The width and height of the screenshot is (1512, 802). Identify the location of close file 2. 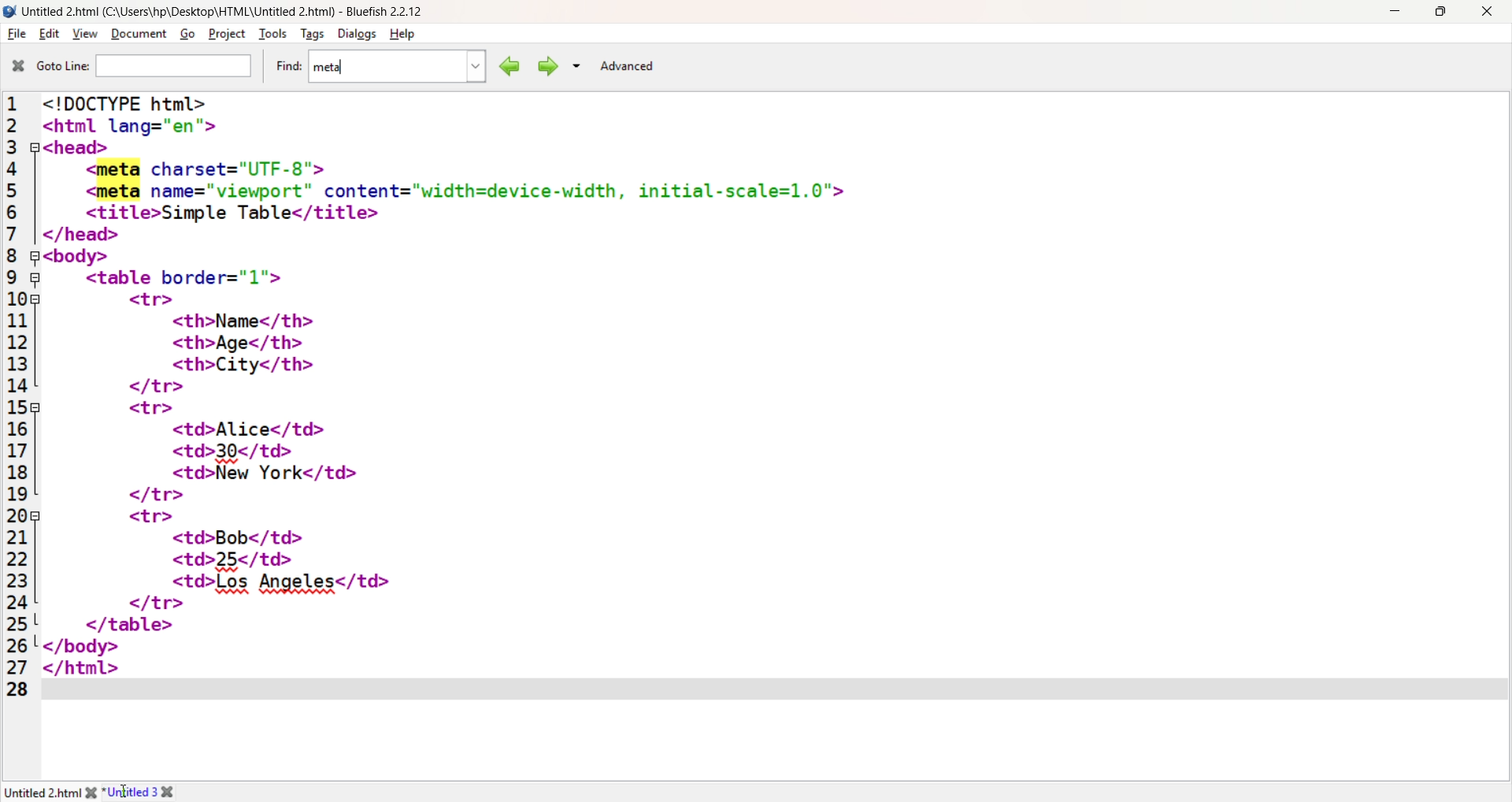
(174, 792).